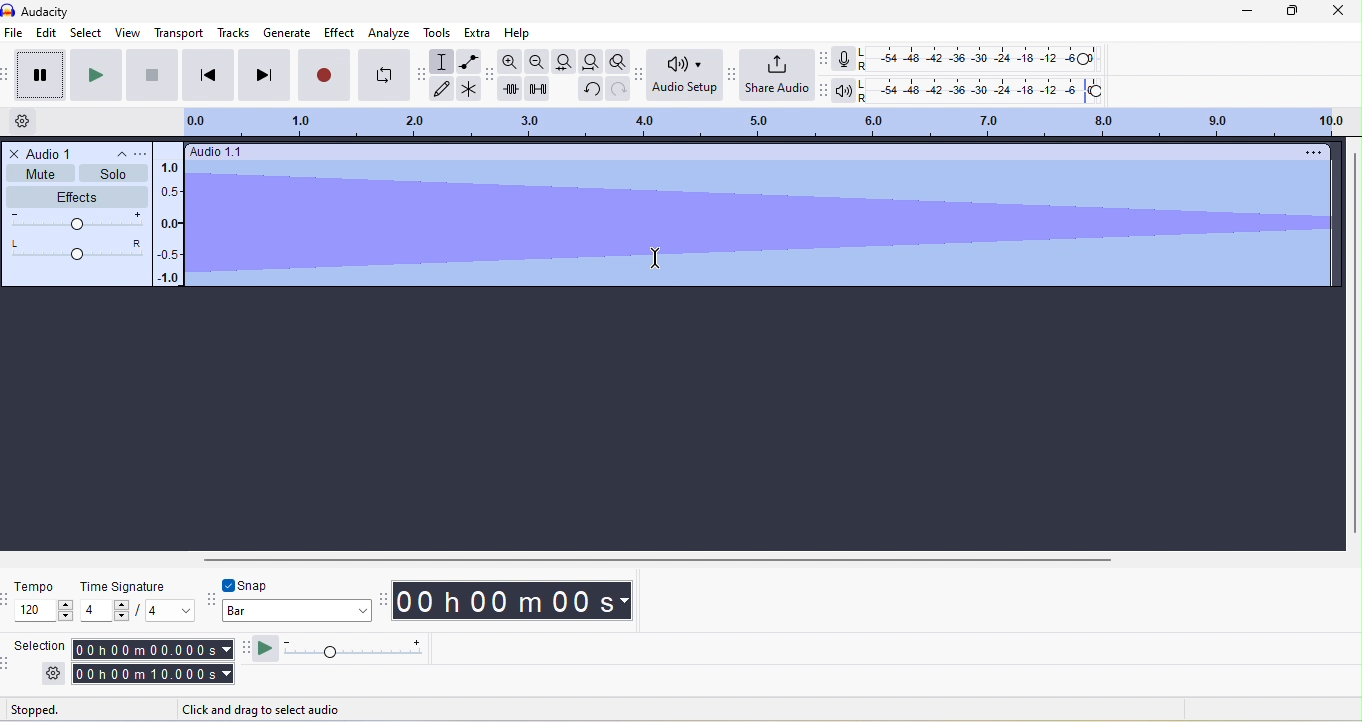 The image size is (1362, 722). I want to click on fit selection to width, so click(561, 61).